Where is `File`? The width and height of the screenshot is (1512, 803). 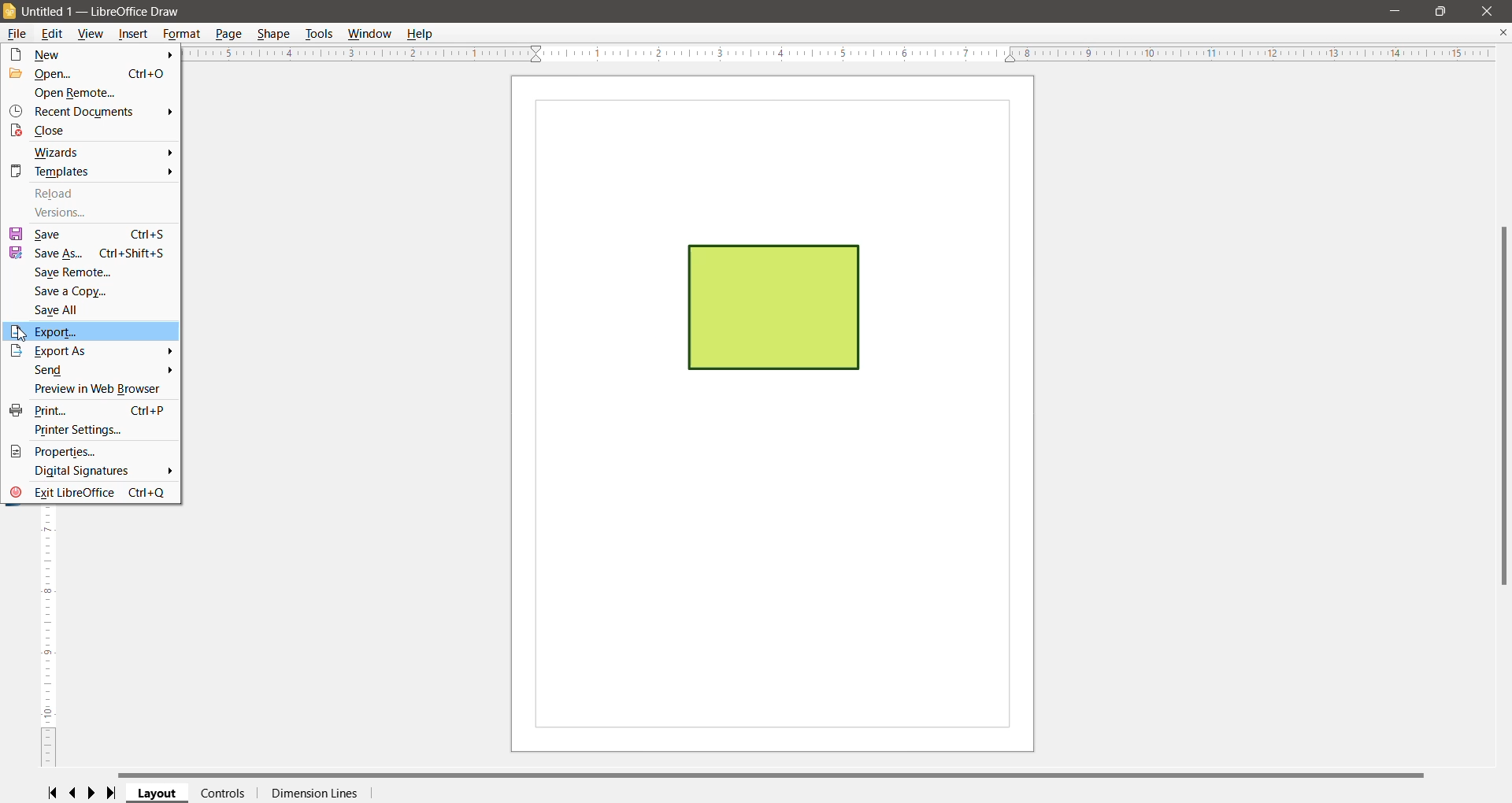 File is located at coordinates (15, 35).